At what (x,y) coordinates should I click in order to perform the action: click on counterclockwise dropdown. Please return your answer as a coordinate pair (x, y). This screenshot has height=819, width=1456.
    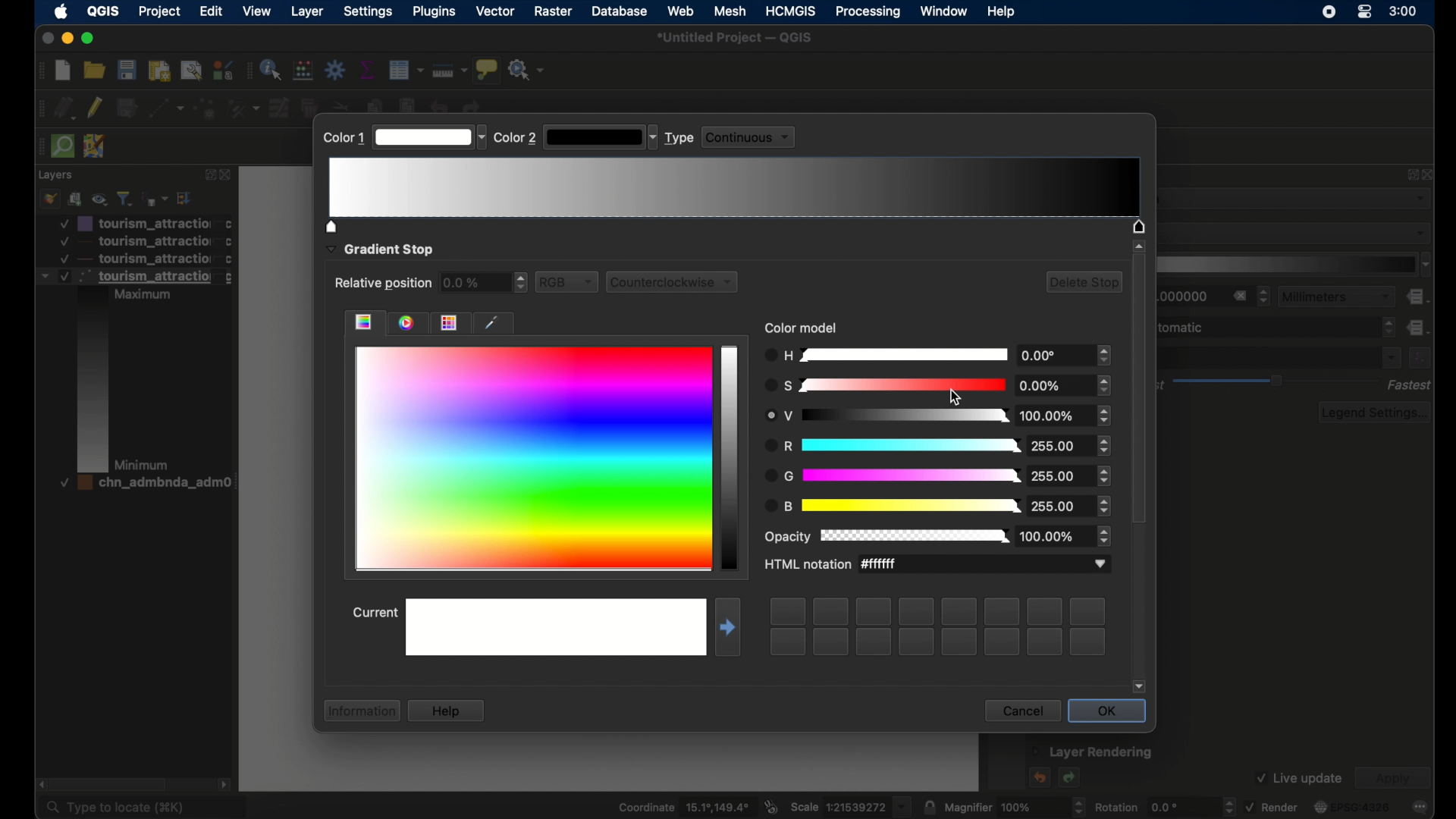
    Looking at the image, I should click on (677, 281).